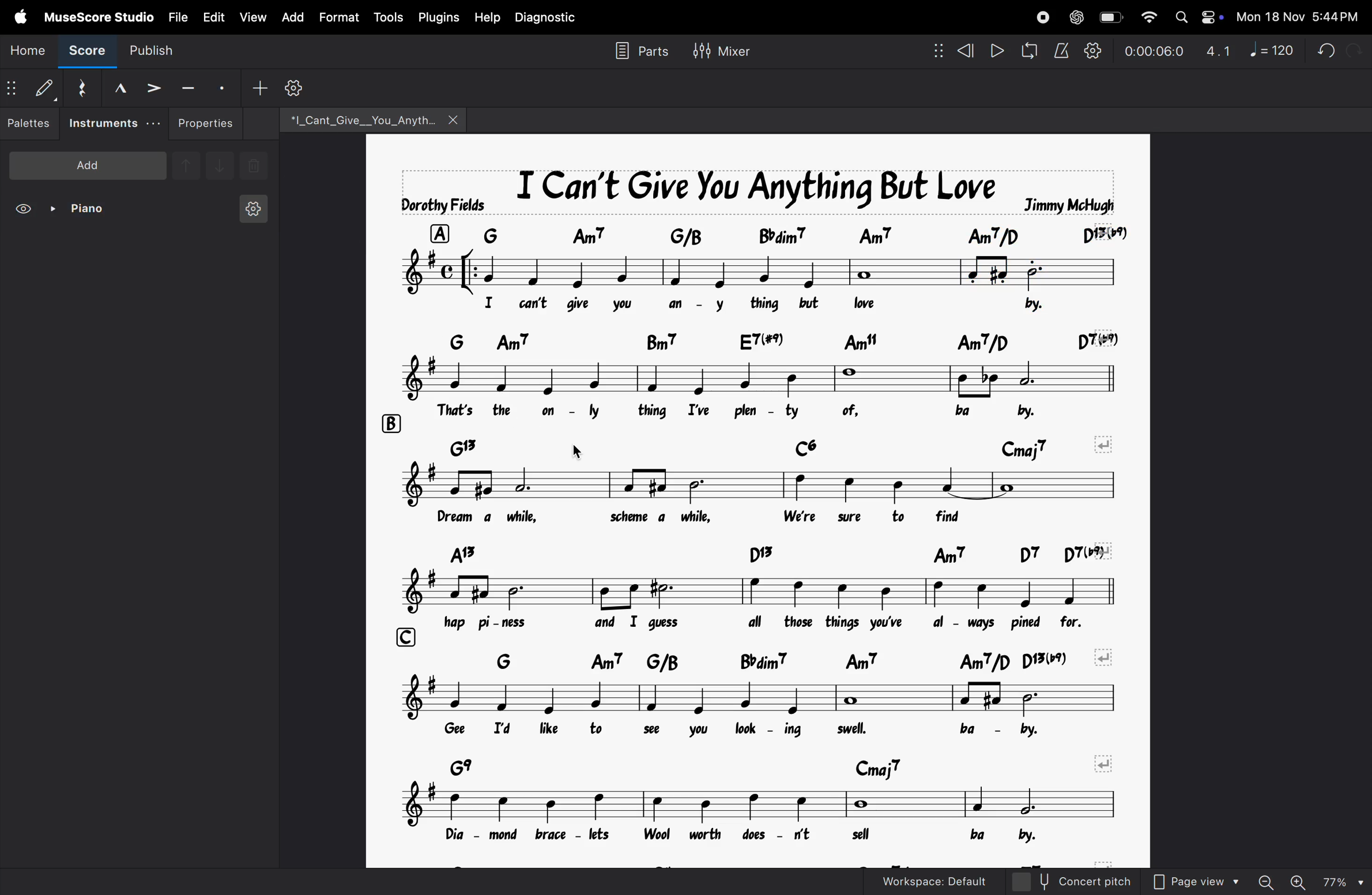  I want to click on play, so click(997, 51).